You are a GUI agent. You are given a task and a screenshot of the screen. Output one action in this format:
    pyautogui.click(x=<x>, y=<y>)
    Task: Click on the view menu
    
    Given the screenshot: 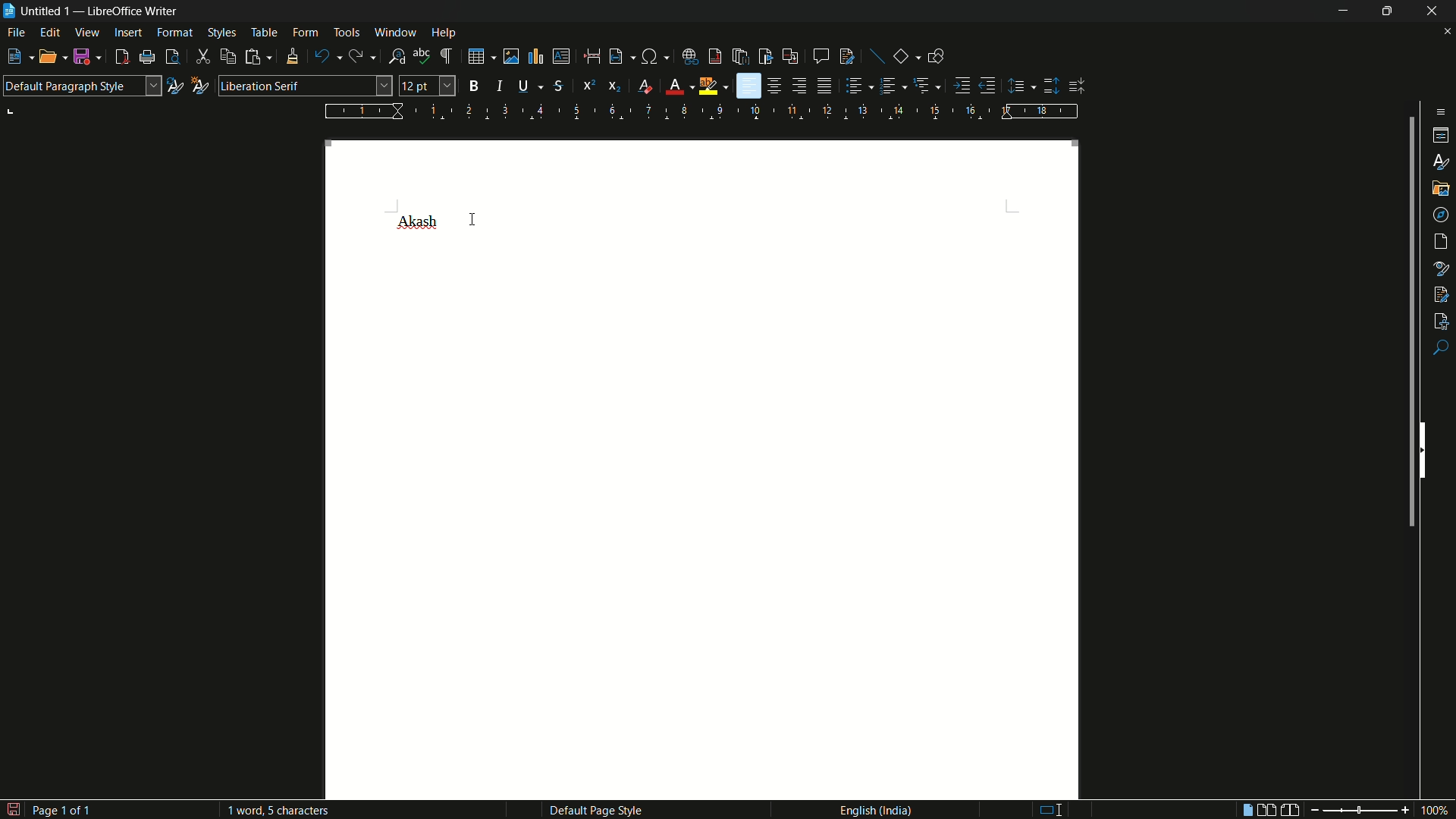 What is the action you would take?
    pyautogui.click(x=87, y=33)
    